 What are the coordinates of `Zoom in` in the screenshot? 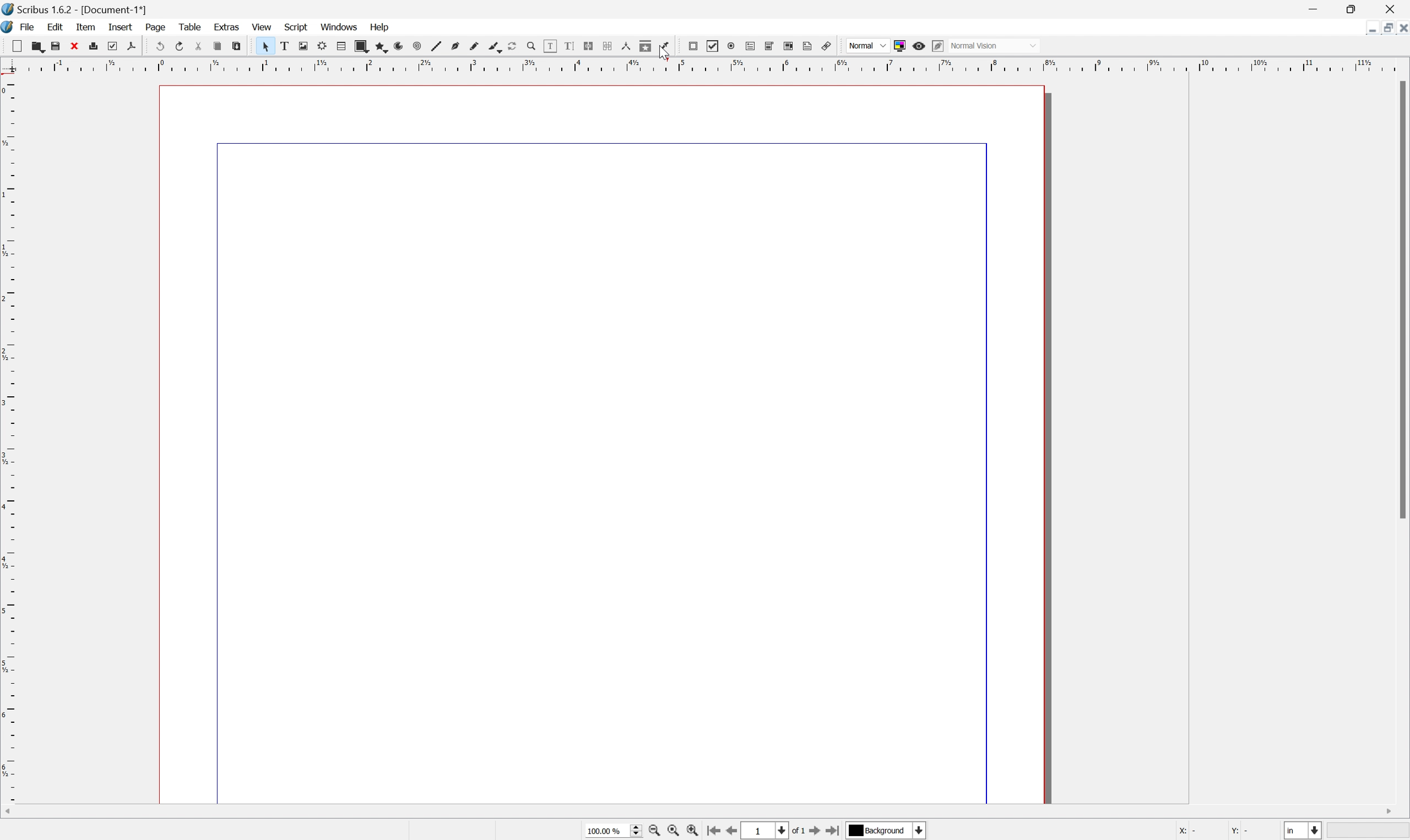 It's located at (694, 831).